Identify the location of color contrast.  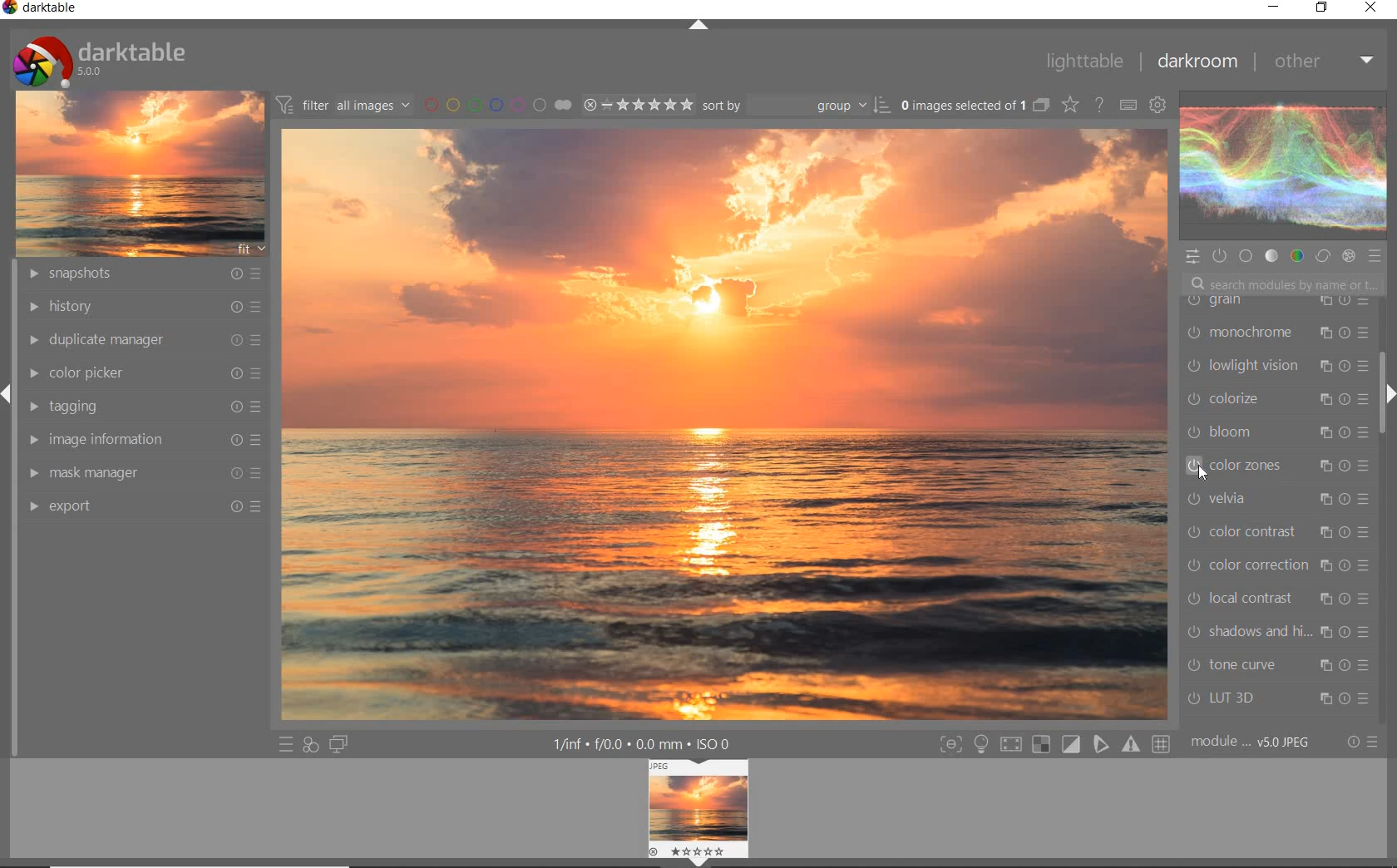
(1277, 533).